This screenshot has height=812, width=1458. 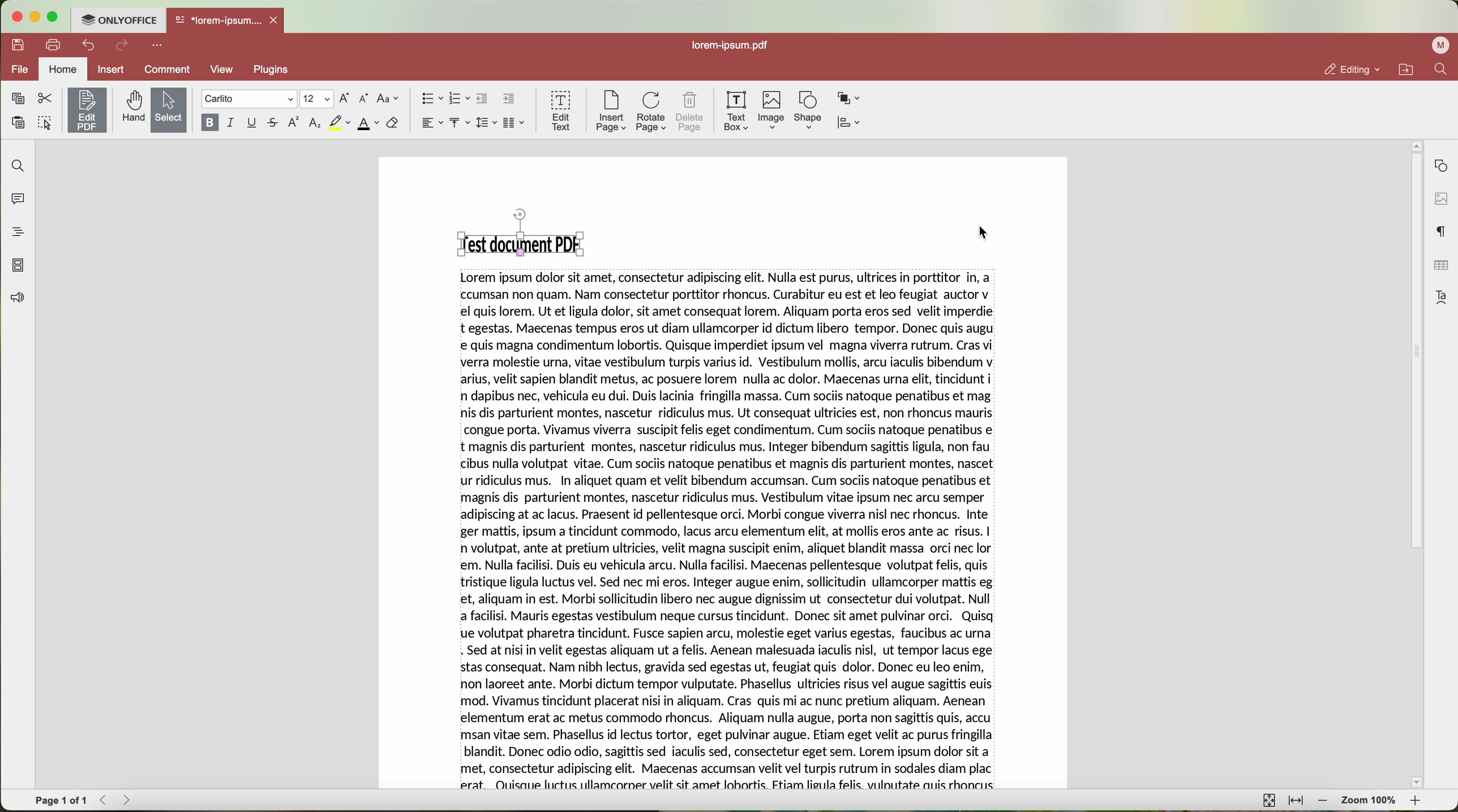 I want to click on numbered list, so click(x=460, y=100).